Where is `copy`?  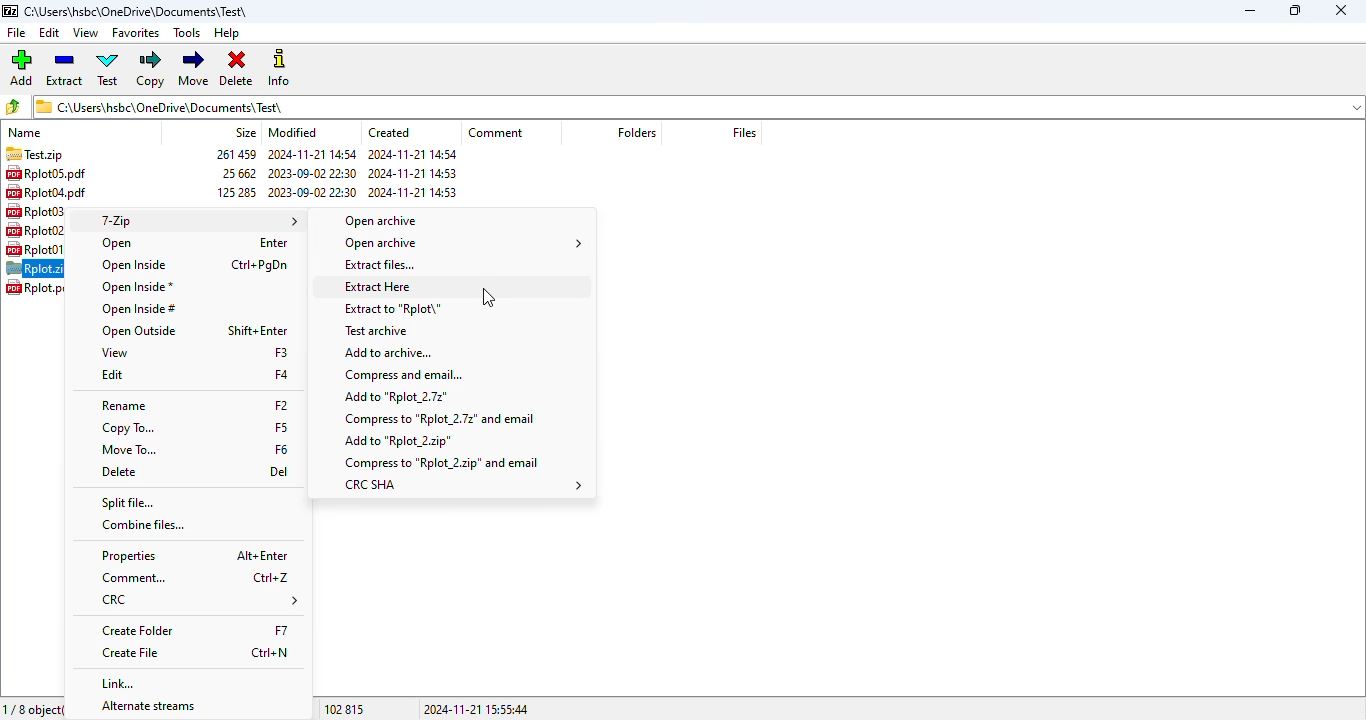 copy is located at coordinates (150, 68).